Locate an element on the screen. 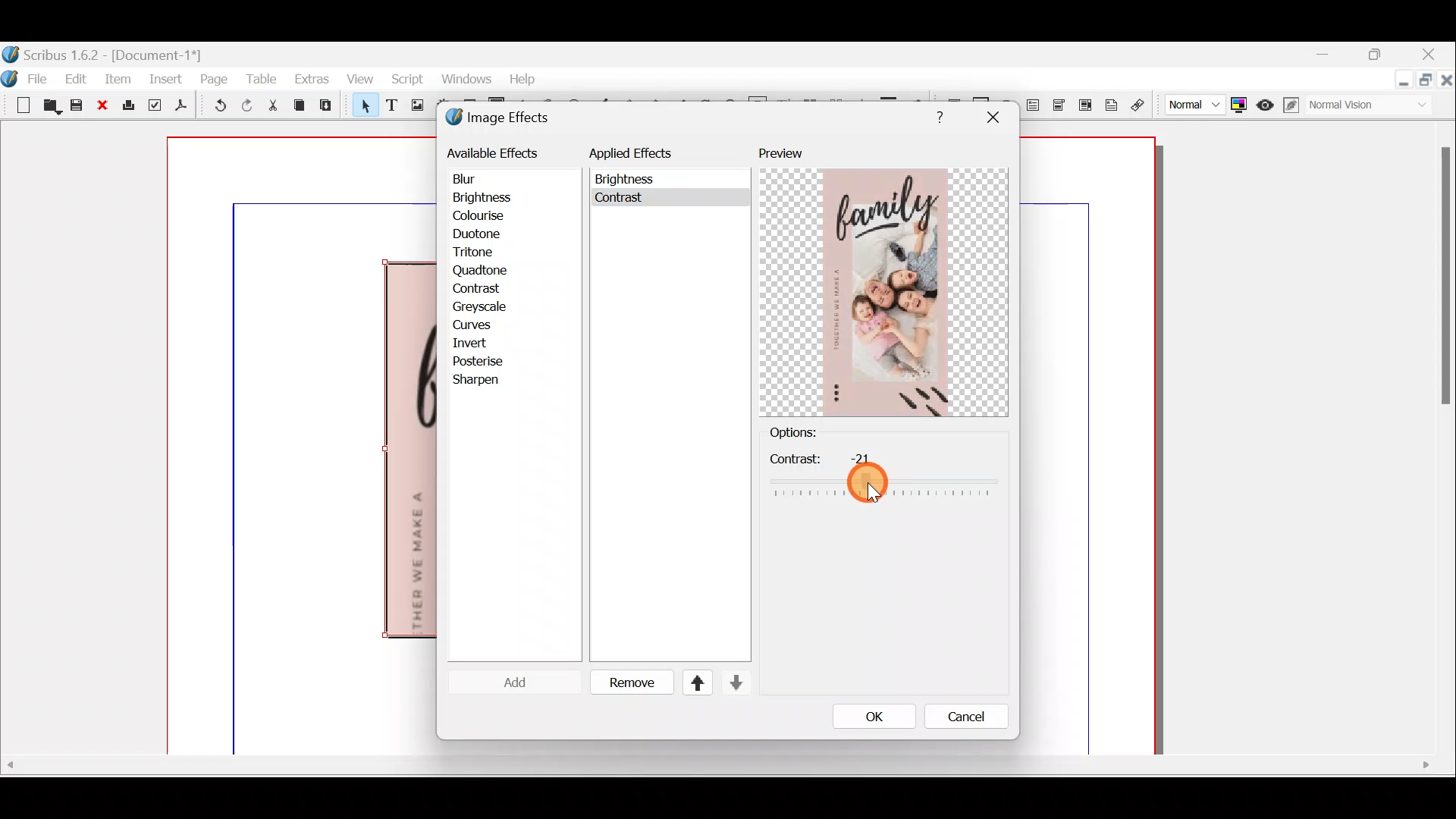  Quatone is located at coordinates (482, 271).